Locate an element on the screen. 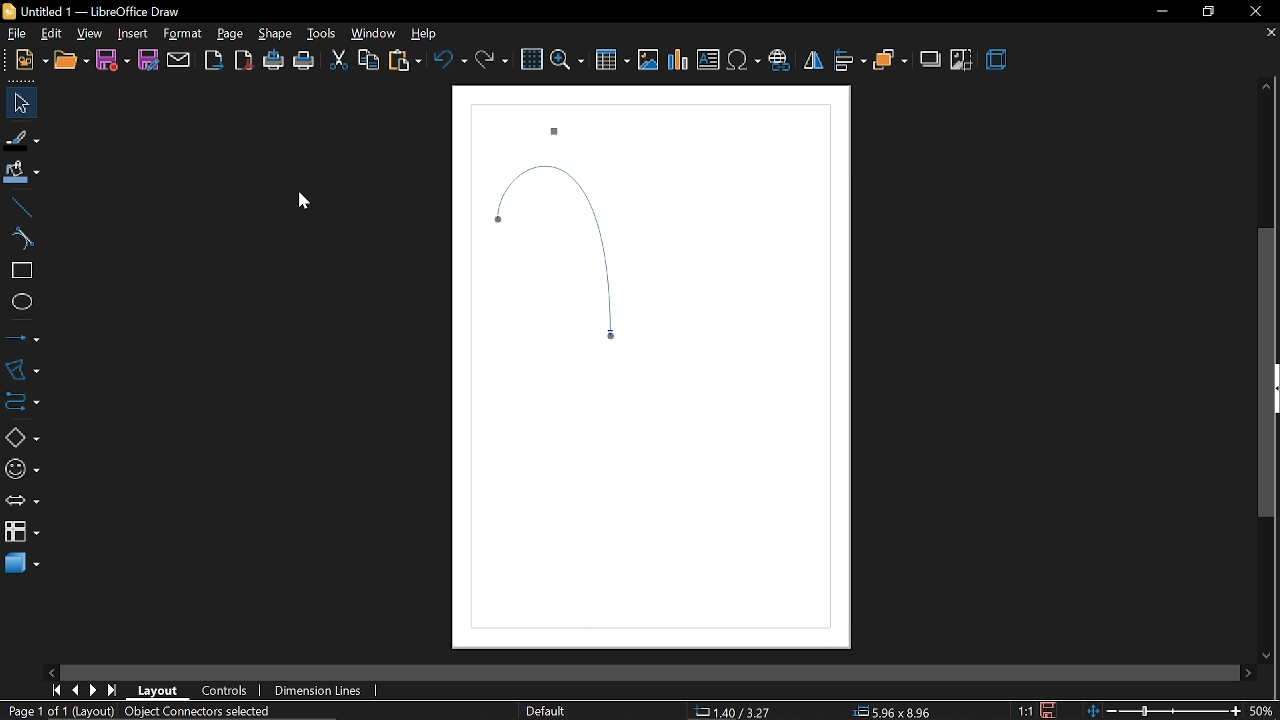  tools is located at coordinates (319, 33).